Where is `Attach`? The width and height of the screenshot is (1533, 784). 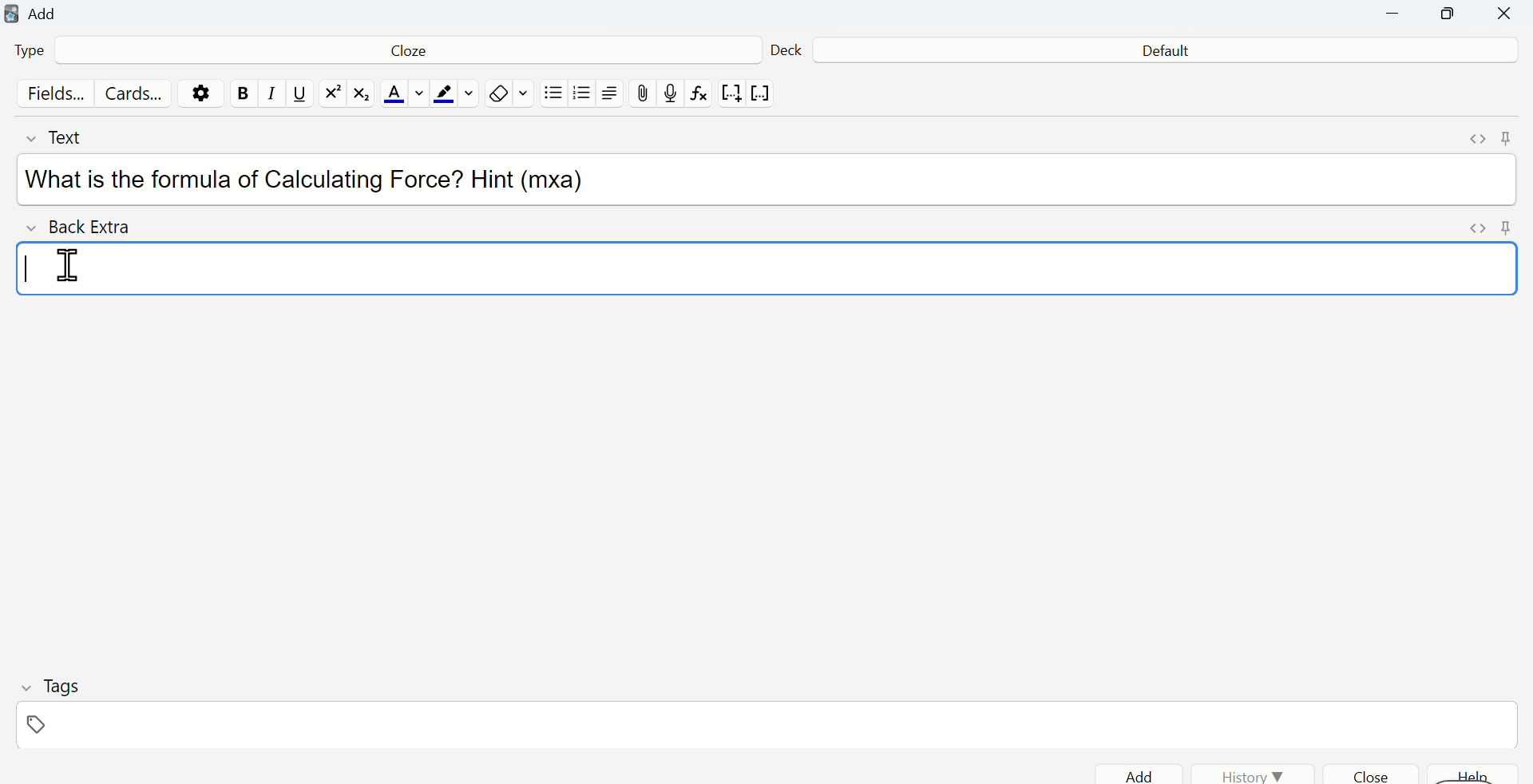
Attach is located at coordinates (644, 93).